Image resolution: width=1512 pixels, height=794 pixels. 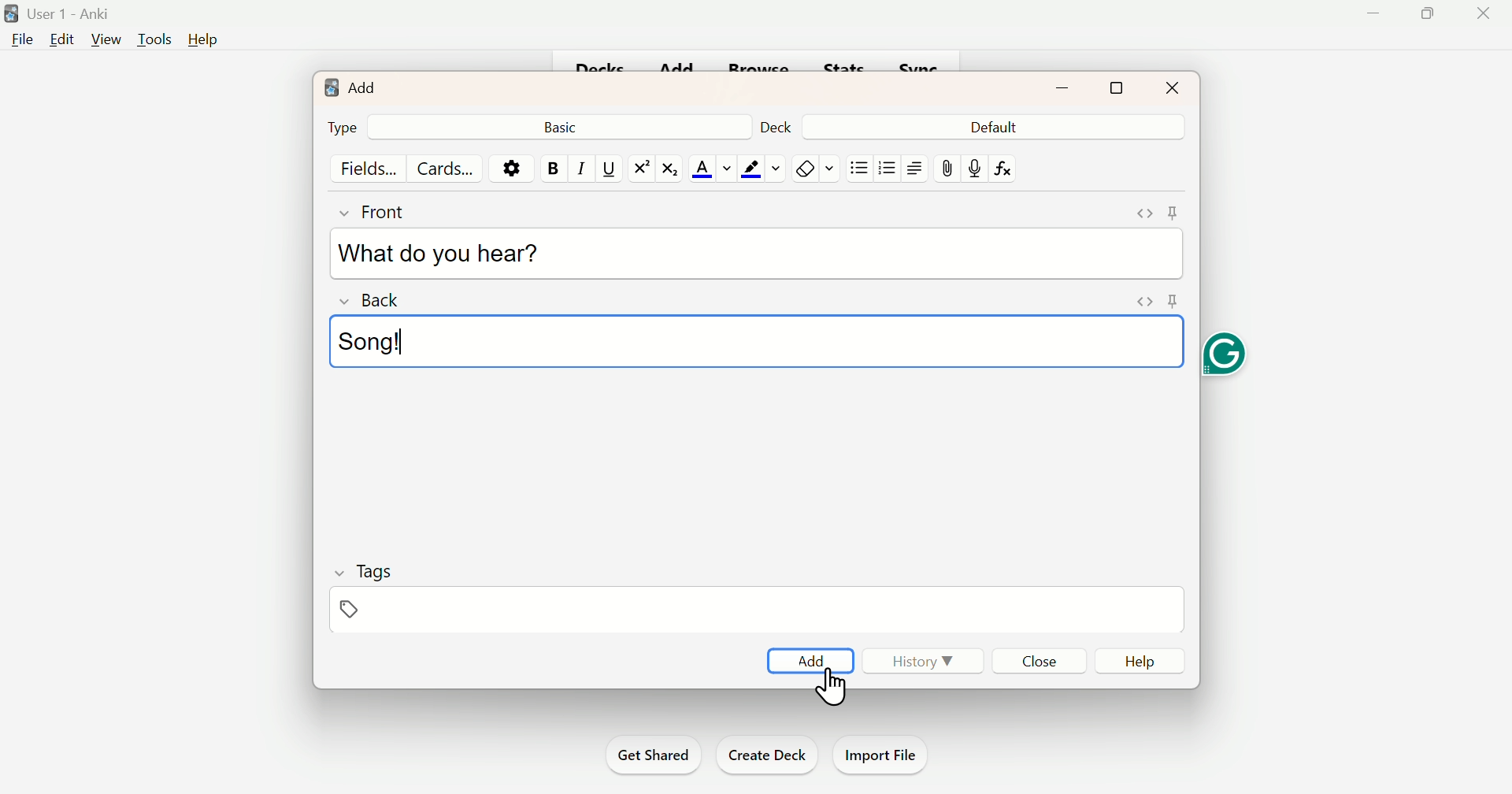 I want to click on Edit, so click(x=62, y=43).